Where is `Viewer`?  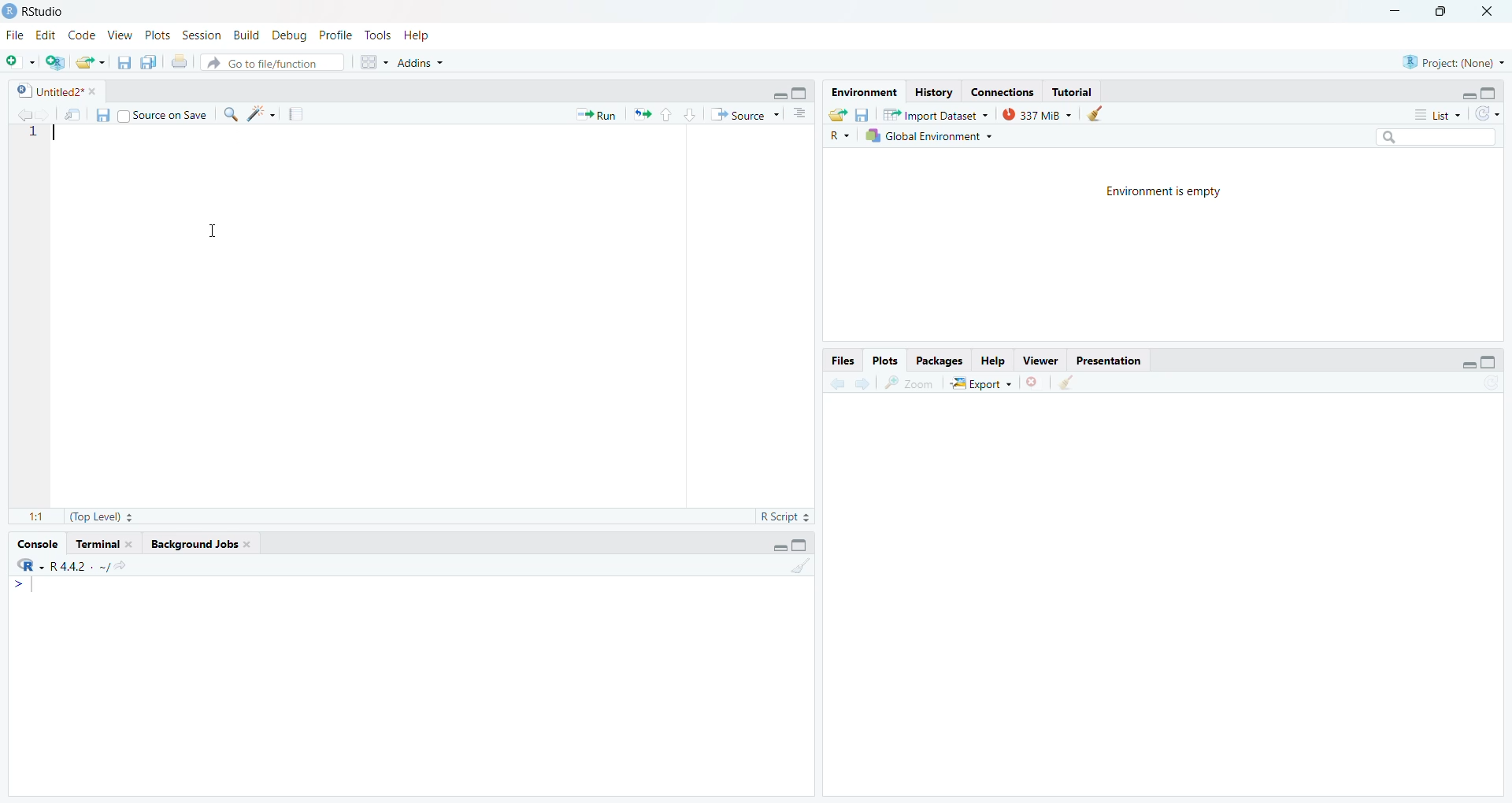
Viewer is located at coordinates (1040, 360).